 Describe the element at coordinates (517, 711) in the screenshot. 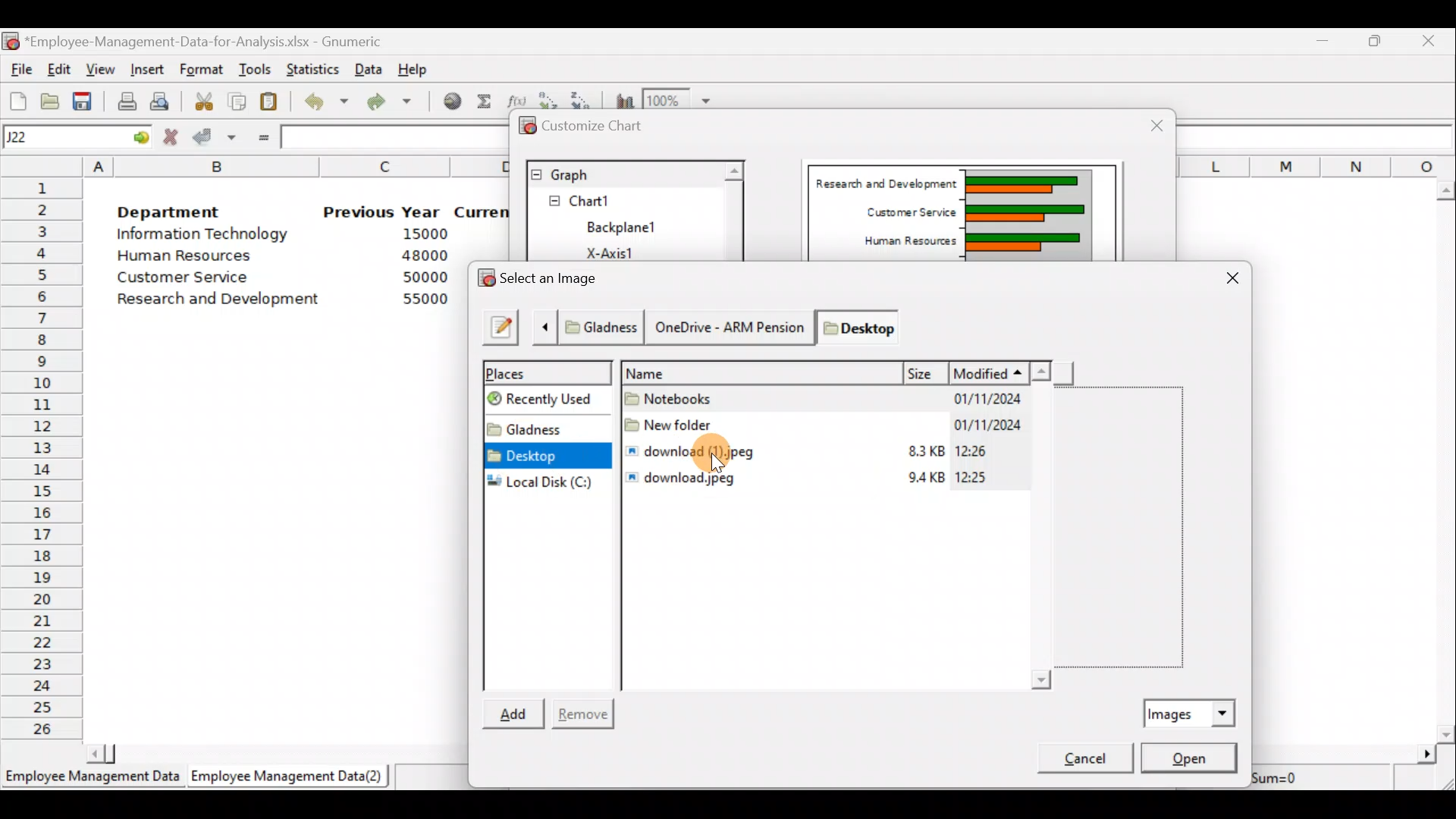

I see `Add` at that location.